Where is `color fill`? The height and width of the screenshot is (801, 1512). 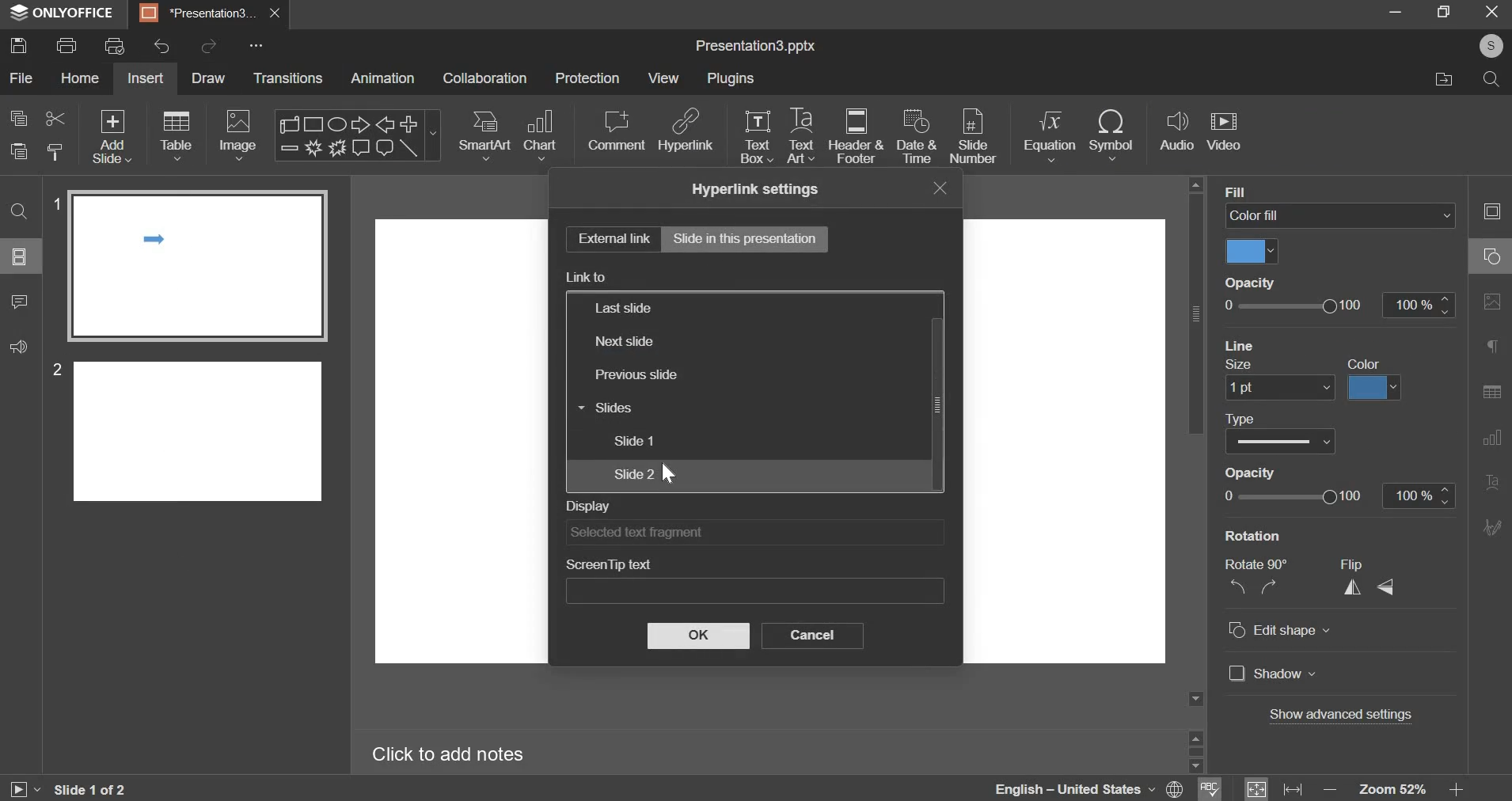 color fill is located at coordinates (1340, 214).